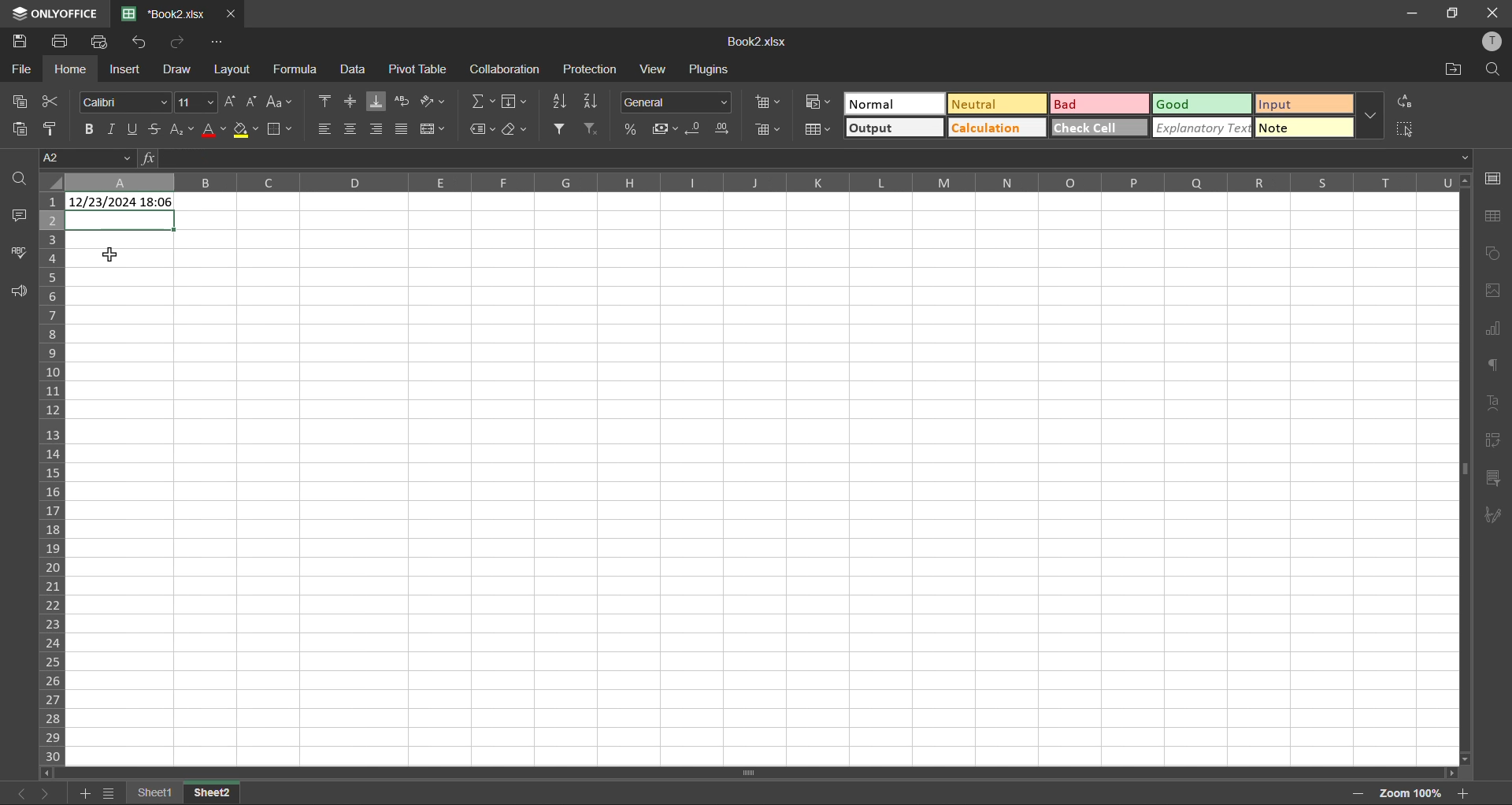 This screenshot has height=805, width=1512. I want to click on profile, so click(1495, 43).